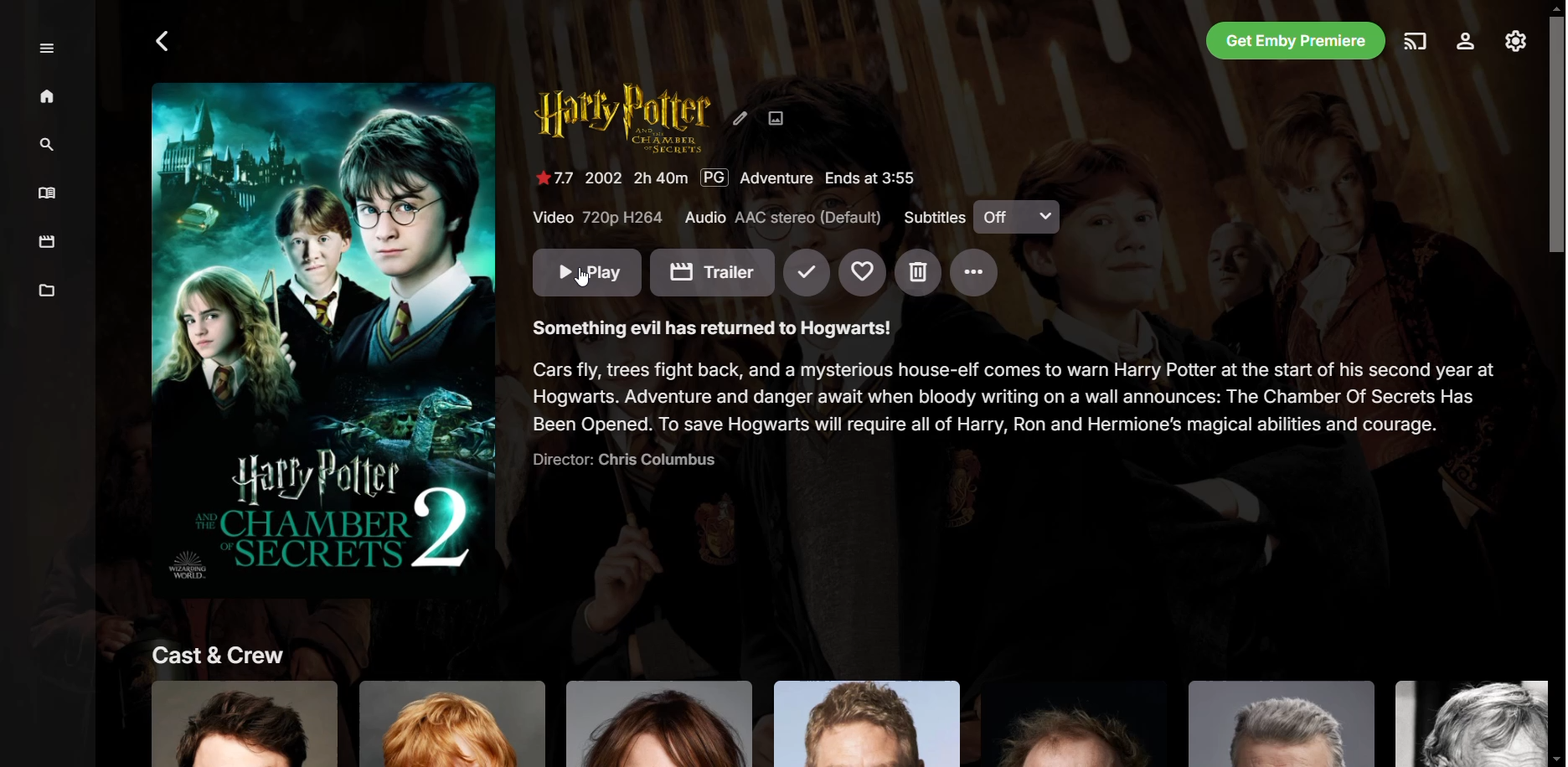 This screenshot has height=767, width=1568. Describe the element at coordinates (49, 99) in the screenshot. I see `Home` at that location.